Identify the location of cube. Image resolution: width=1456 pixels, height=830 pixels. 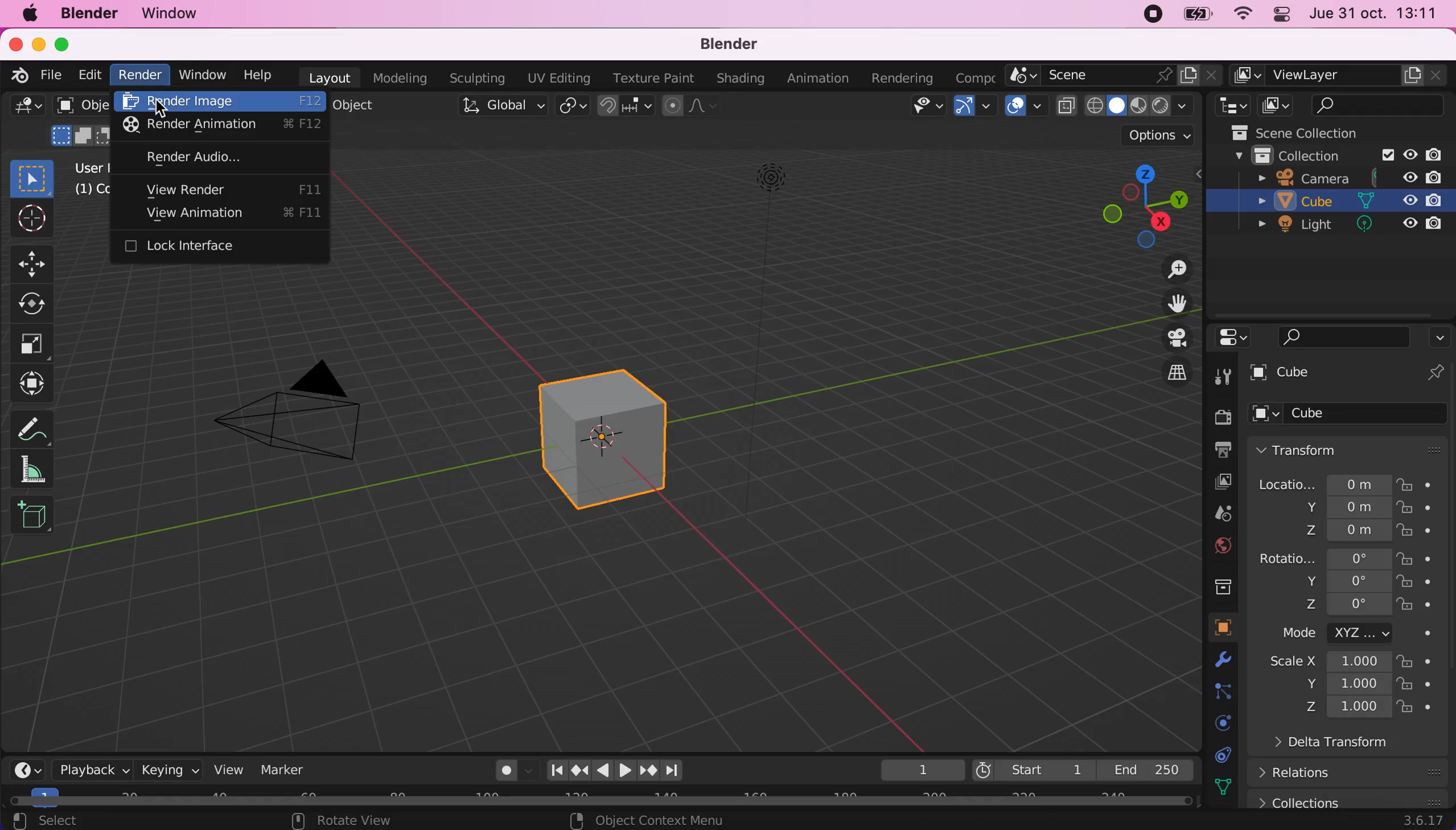
(1351, 374).